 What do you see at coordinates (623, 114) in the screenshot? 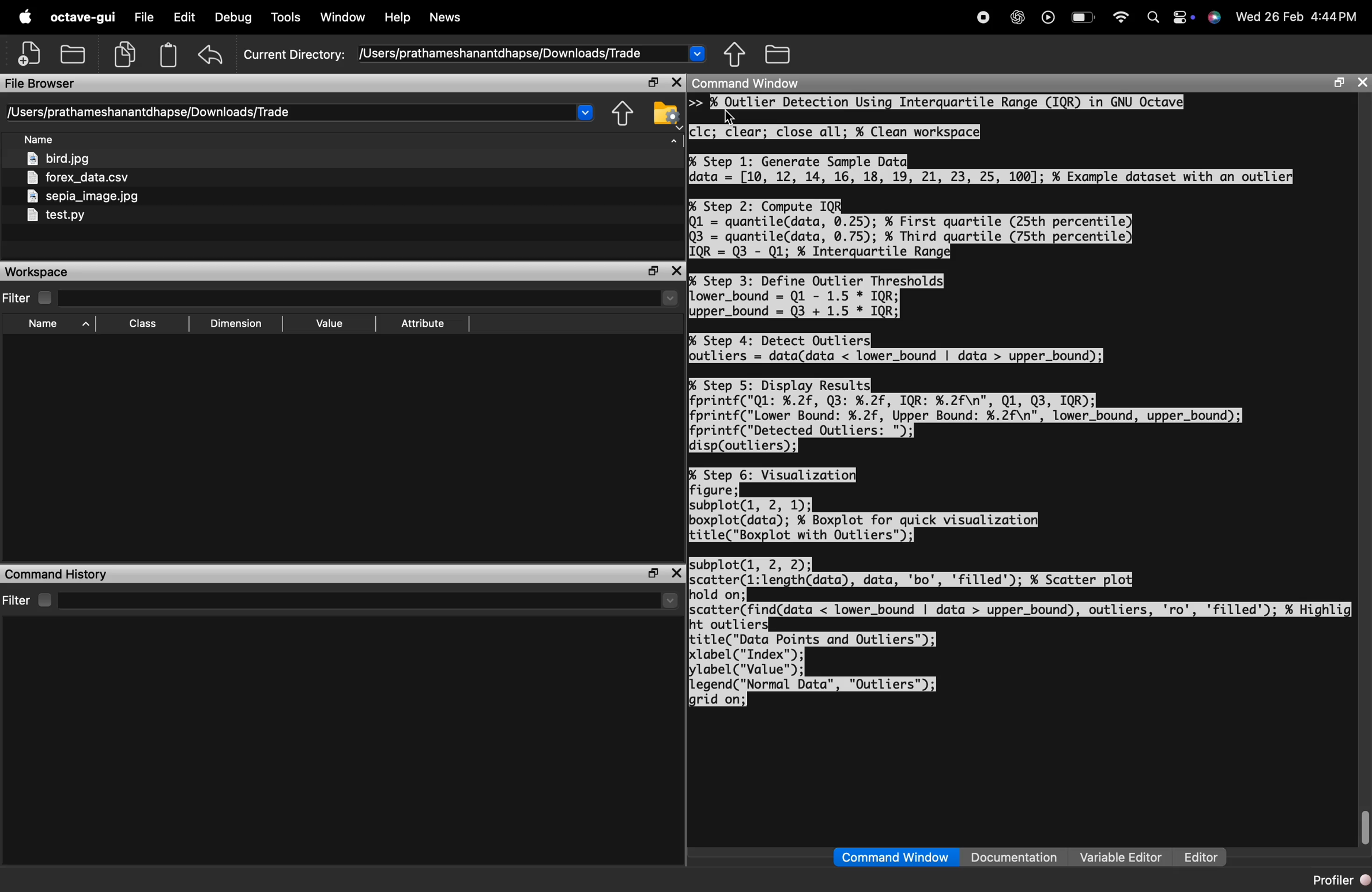
I see `share` at bounding box center [623, 114].